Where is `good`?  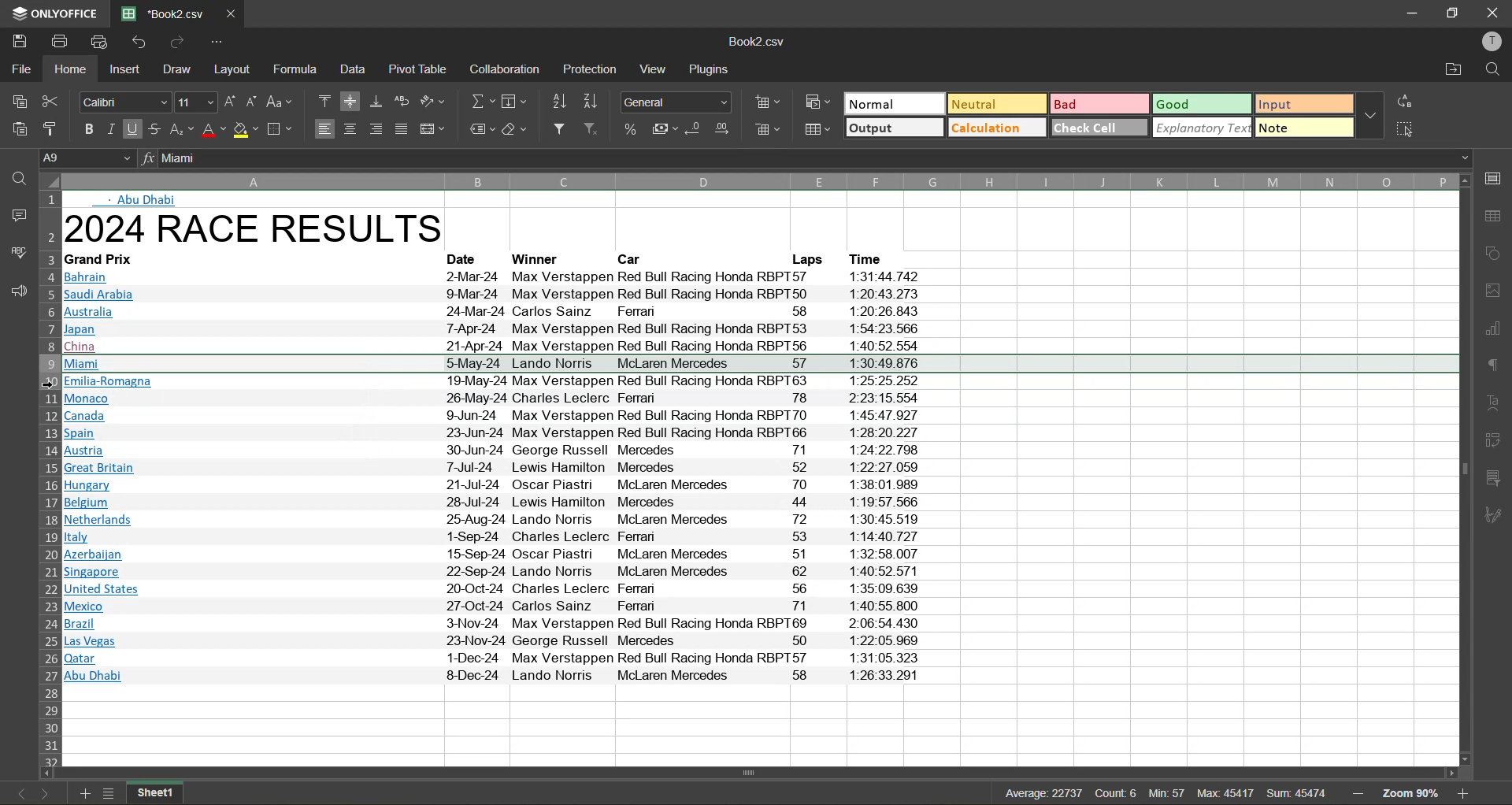 good is located at coordinates (1202, 104).